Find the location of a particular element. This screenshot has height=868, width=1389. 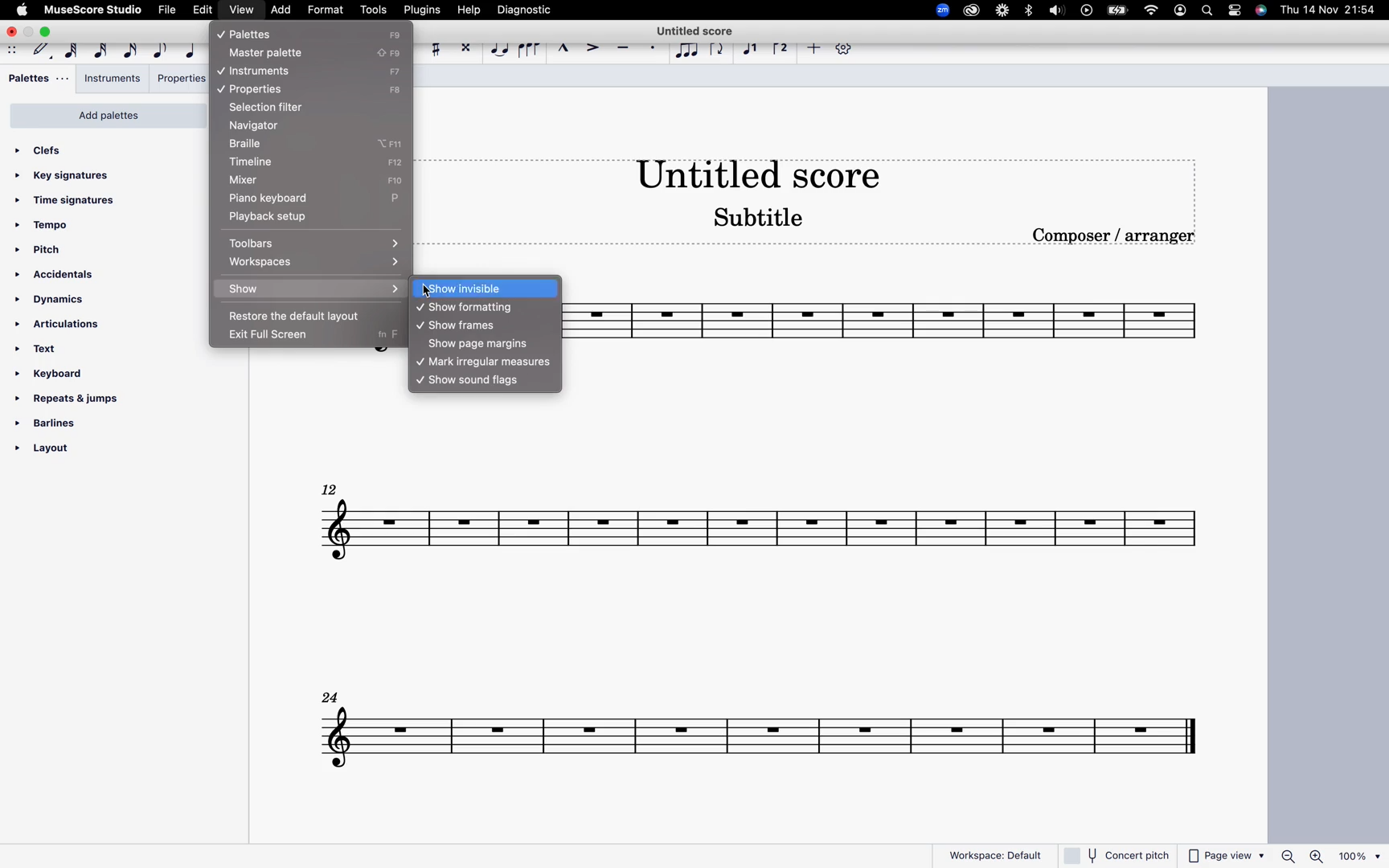

tie is located at coordinates (495, 50).